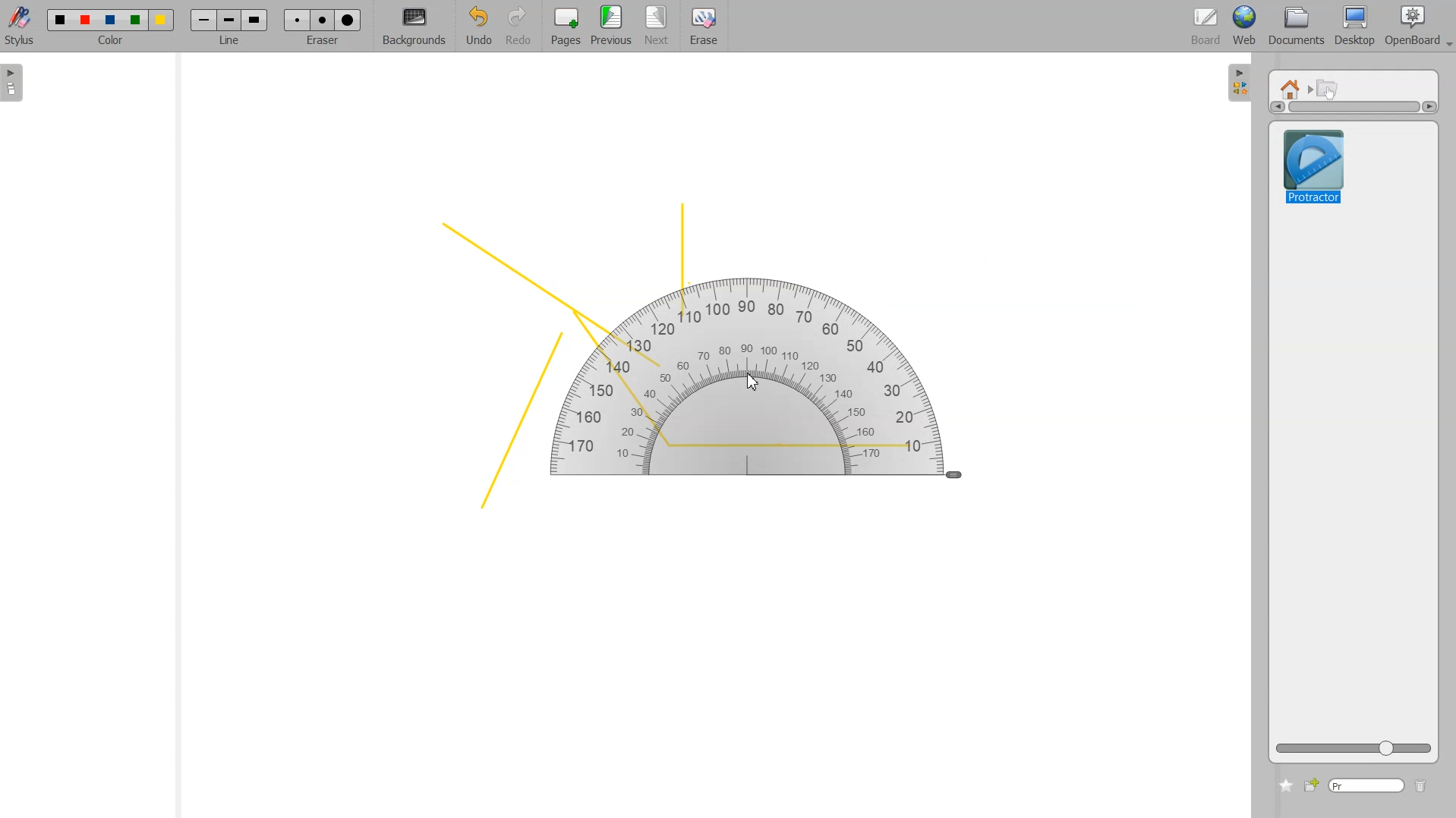 Image resolution: width=1456 pixels, height=818 pixels. I want to click on Protractor, so click(778, 386).